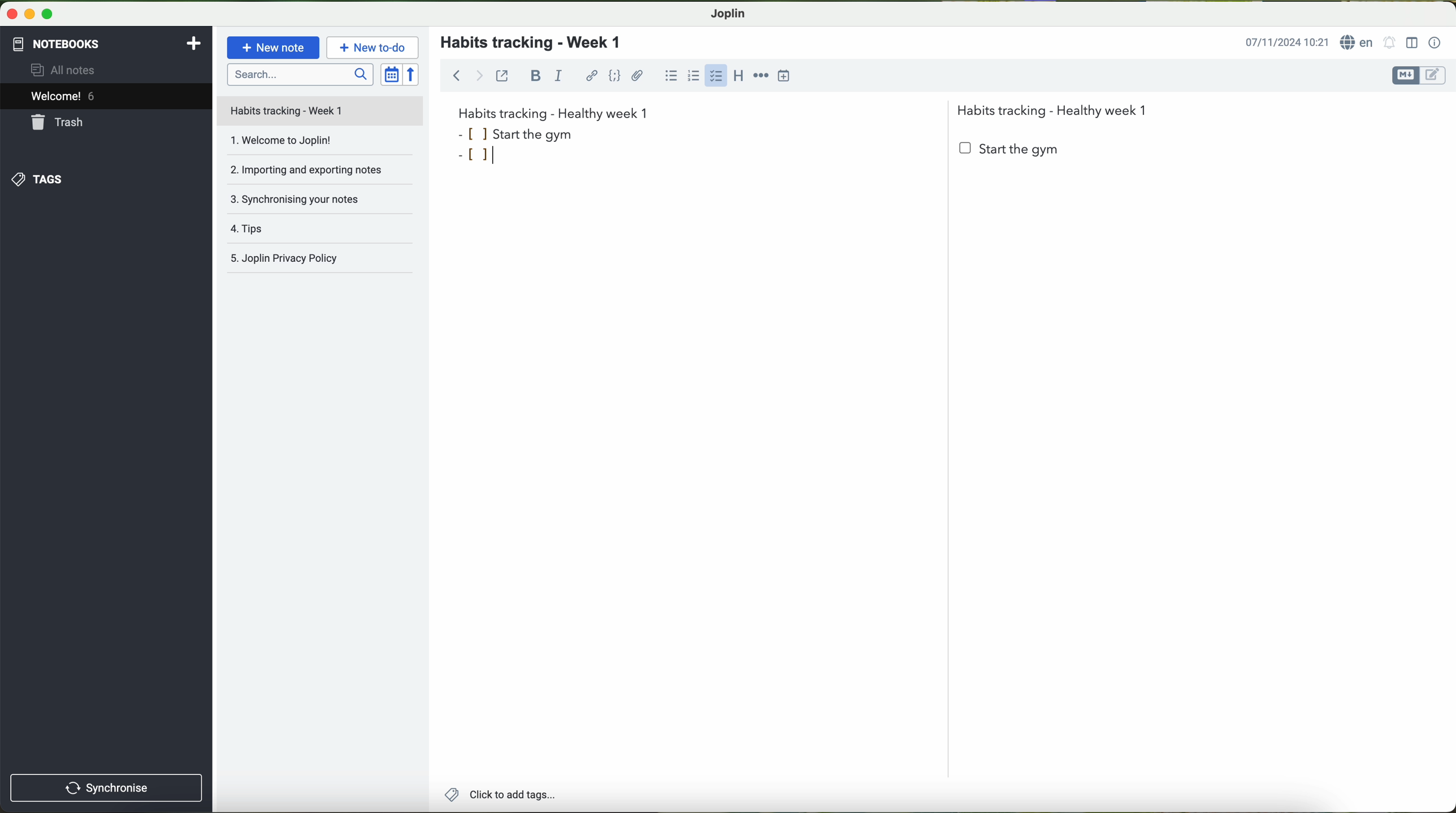  What do you see at coordinates (48, 14) in the screenshot?
I see `maximize` at bounding box center [48, 14].